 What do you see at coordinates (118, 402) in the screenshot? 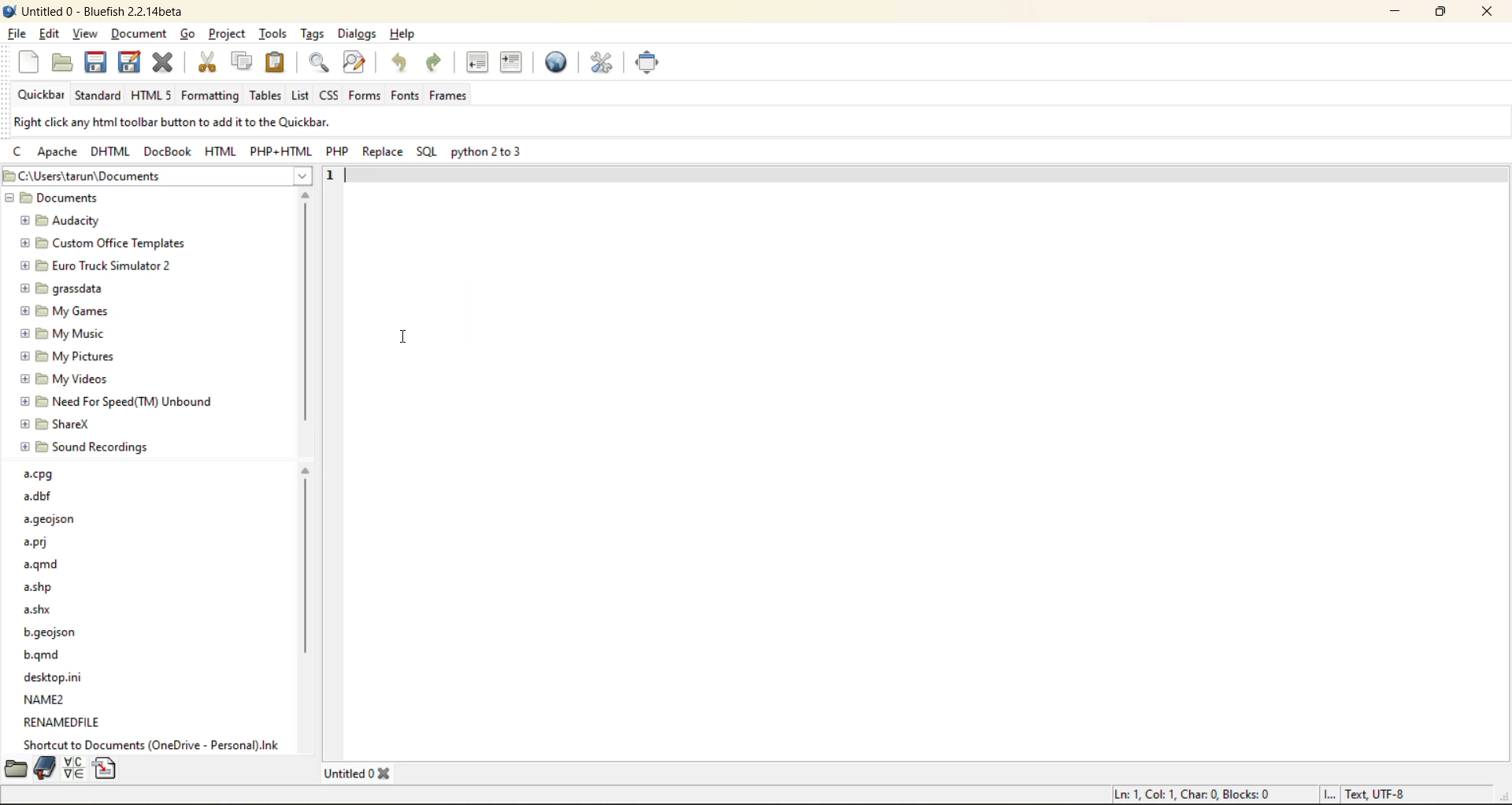
I see `need for speed (TM) unbound` at bounding box center [118, 402].